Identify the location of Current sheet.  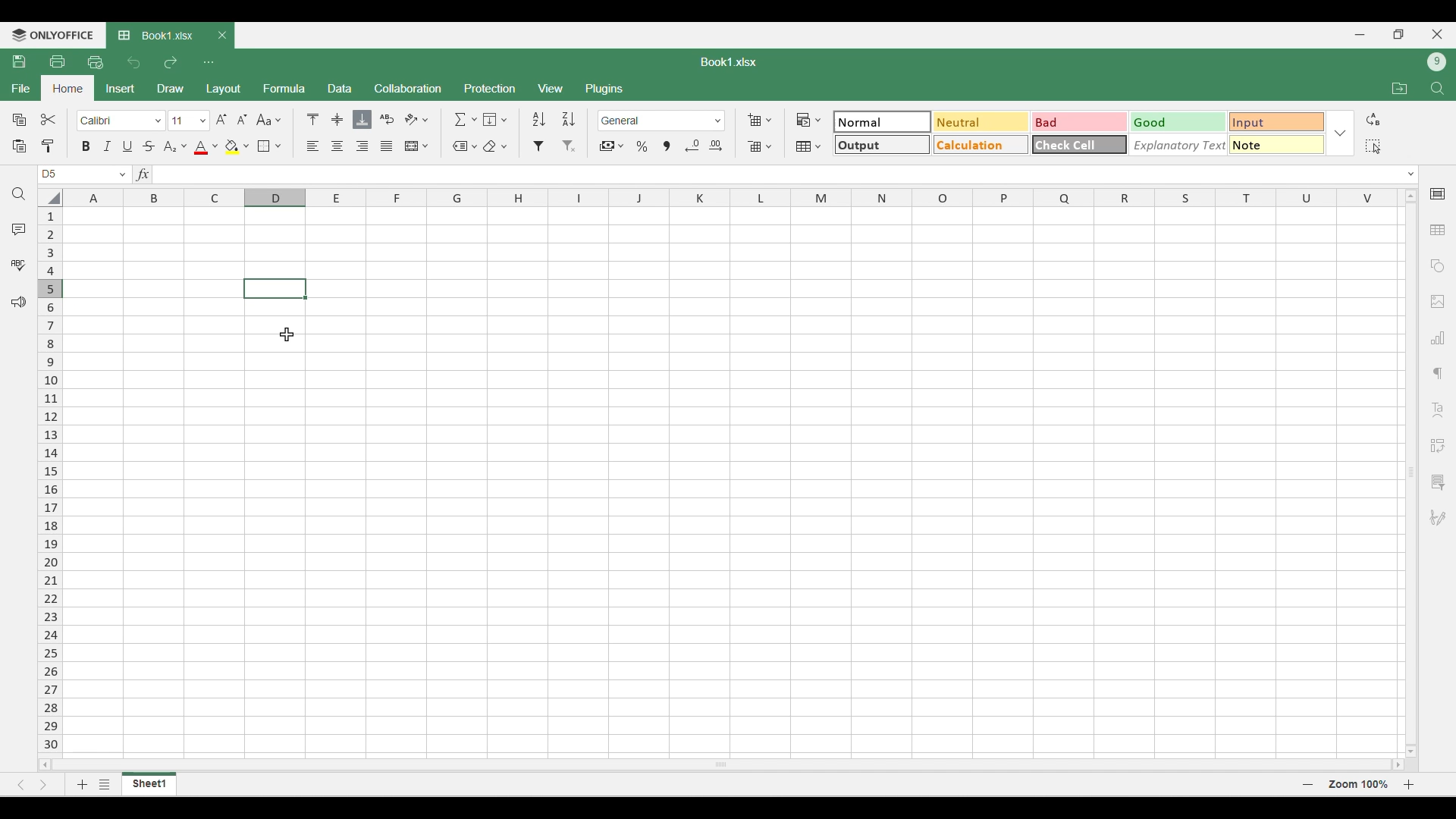
(149, 784).